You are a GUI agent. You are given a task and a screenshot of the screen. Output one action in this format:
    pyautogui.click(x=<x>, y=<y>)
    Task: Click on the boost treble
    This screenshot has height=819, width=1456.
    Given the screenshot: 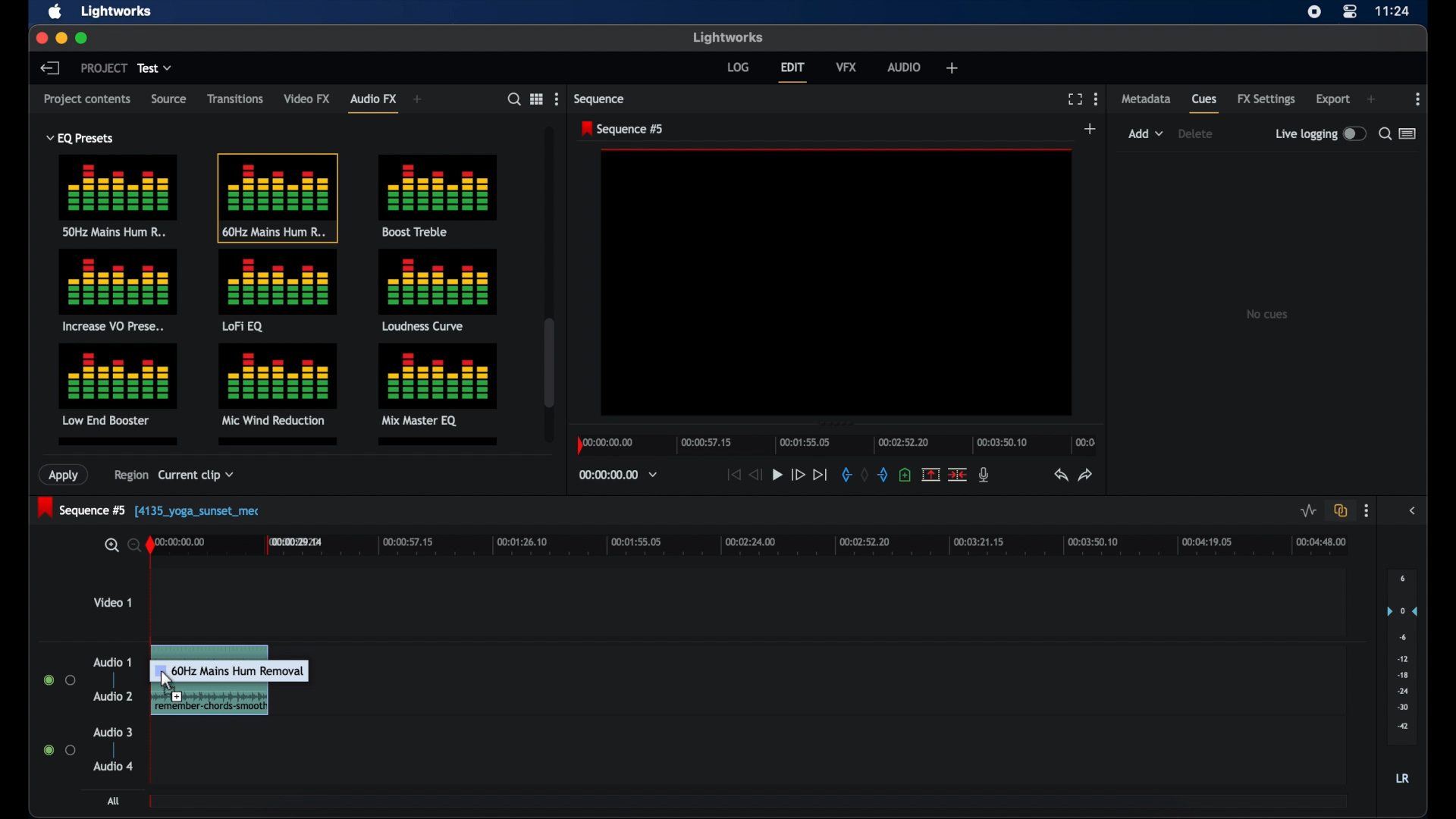 What is the action you would take?
    pyautogui.click(x=440, y=194)
    